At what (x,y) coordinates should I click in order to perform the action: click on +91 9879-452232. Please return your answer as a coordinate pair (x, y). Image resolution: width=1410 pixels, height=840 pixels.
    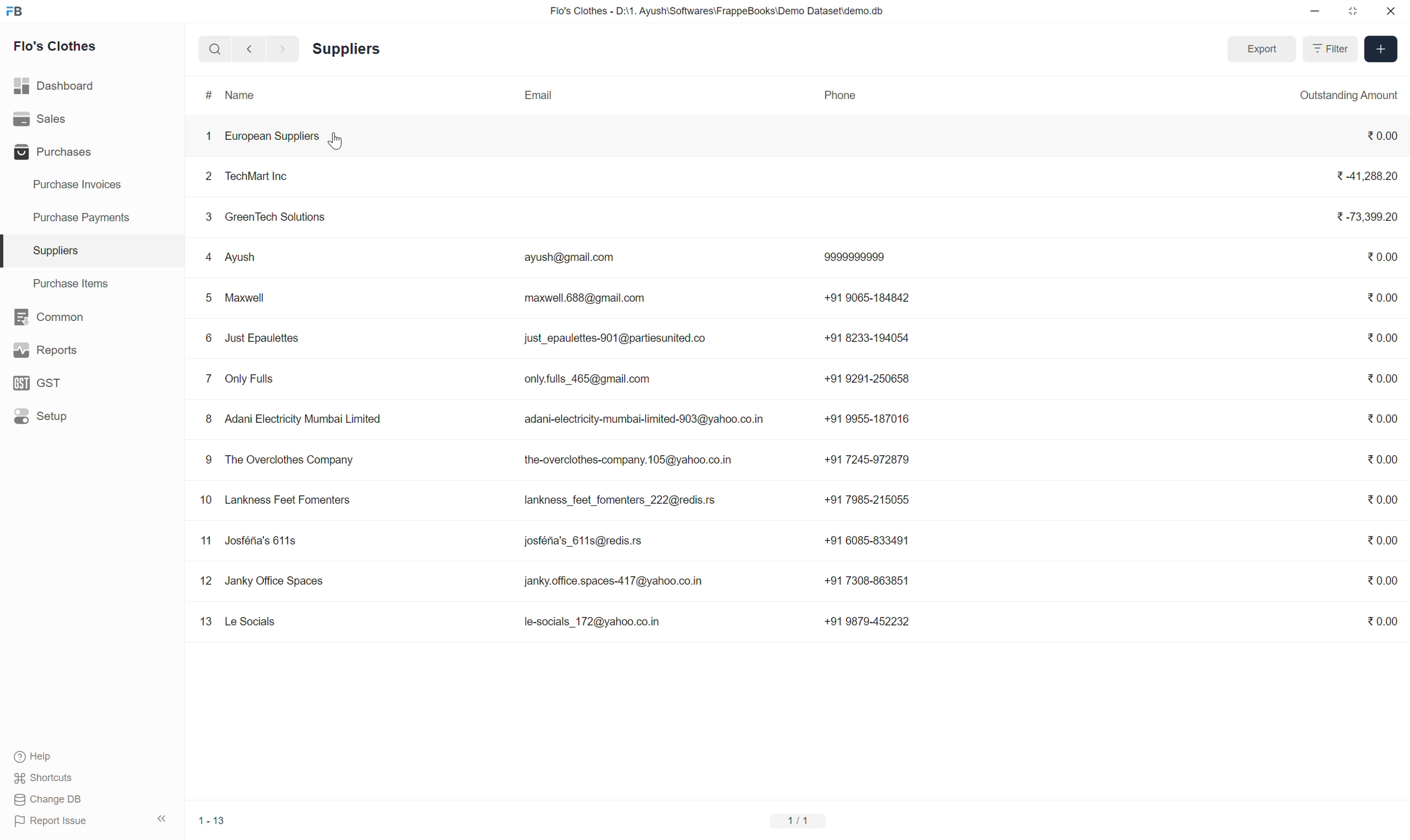
    Looking at the image, I should click on (869, 620).